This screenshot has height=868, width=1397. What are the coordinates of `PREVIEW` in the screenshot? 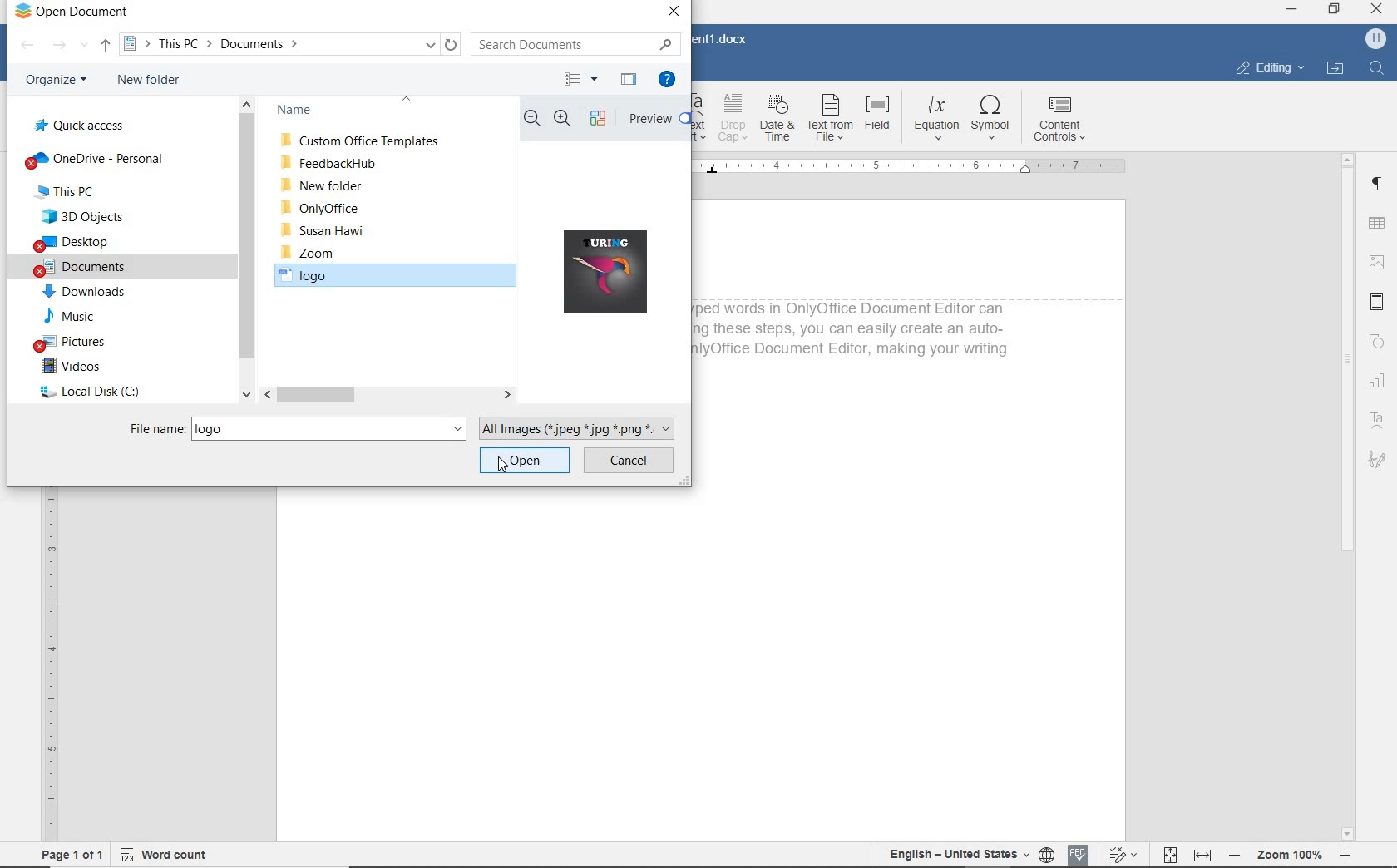 It's located at (657, 119).